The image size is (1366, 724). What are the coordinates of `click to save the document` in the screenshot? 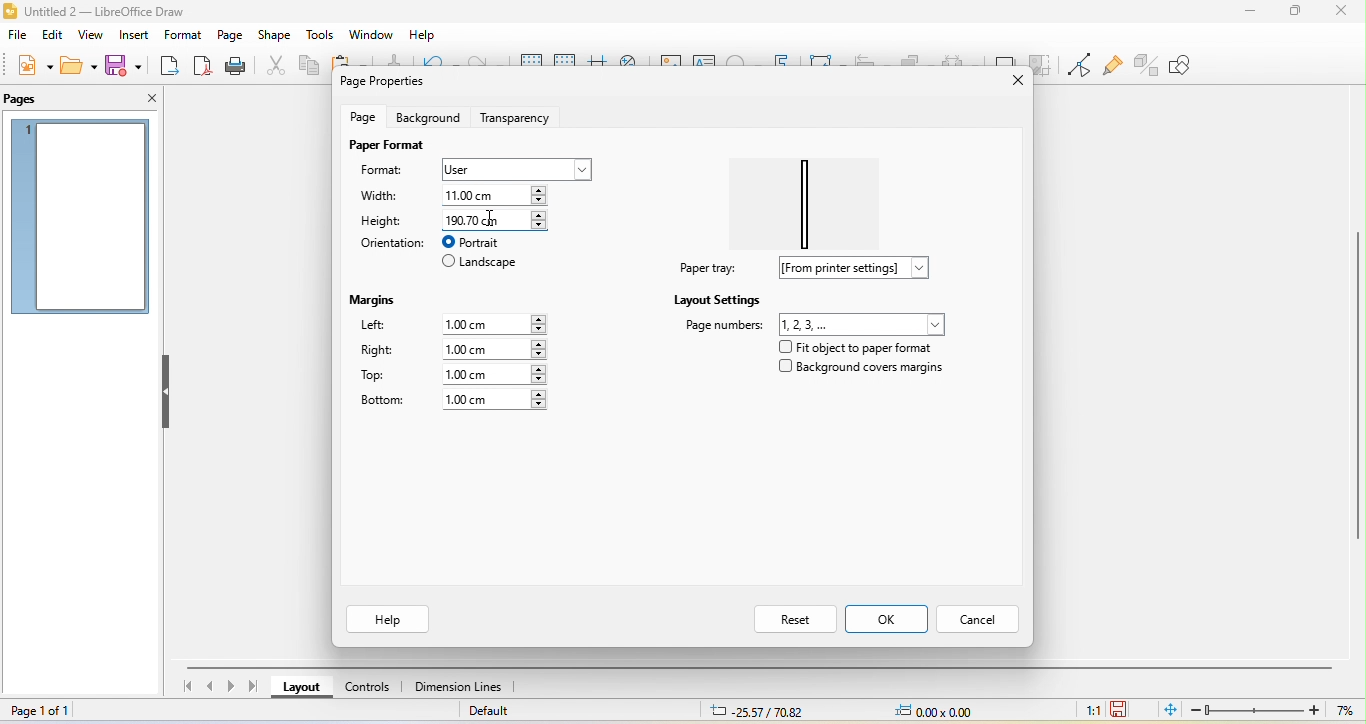 It's located at (1120, 708).